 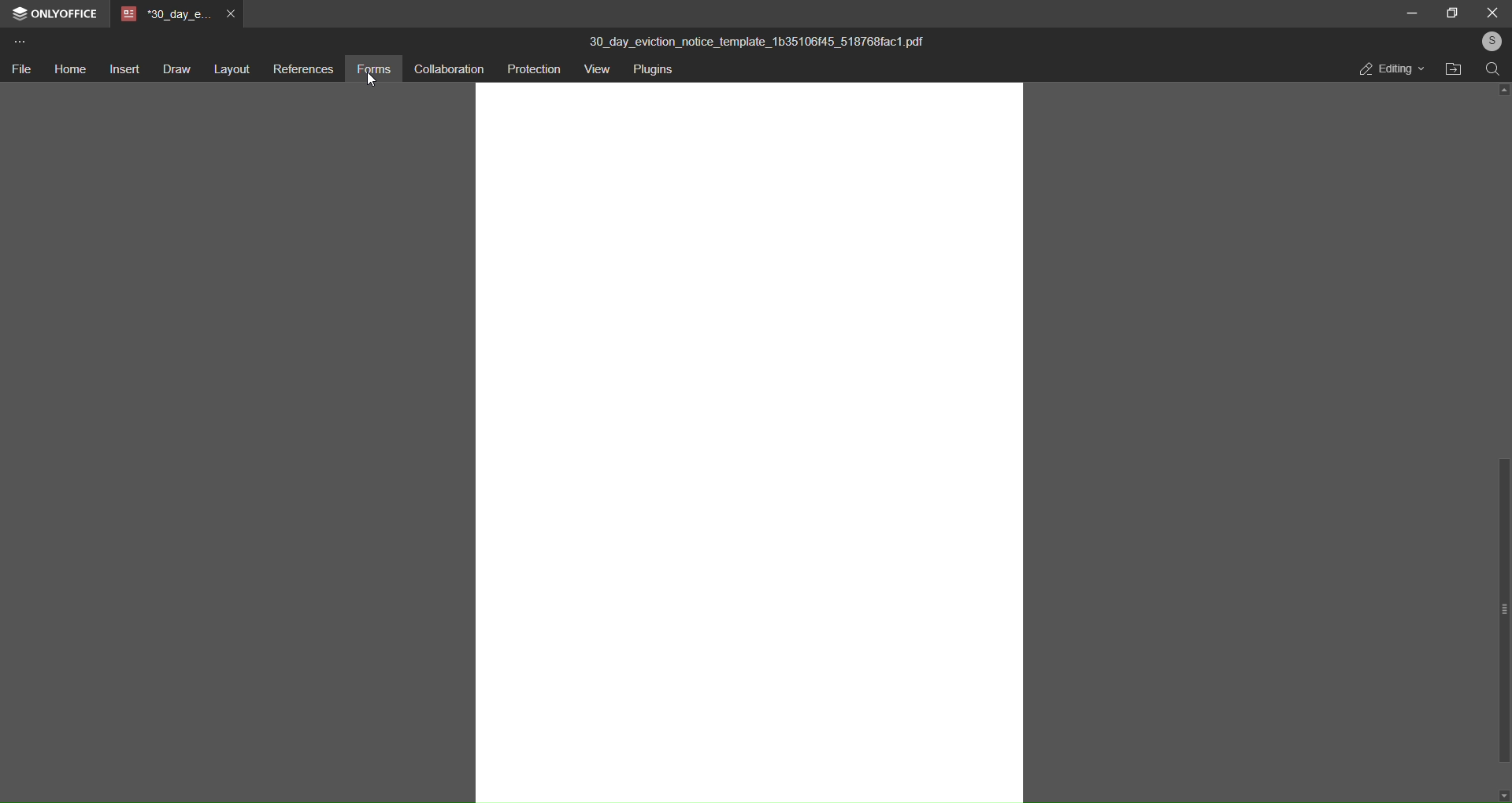 I want to click on cursor, so click(x=370, y=86).